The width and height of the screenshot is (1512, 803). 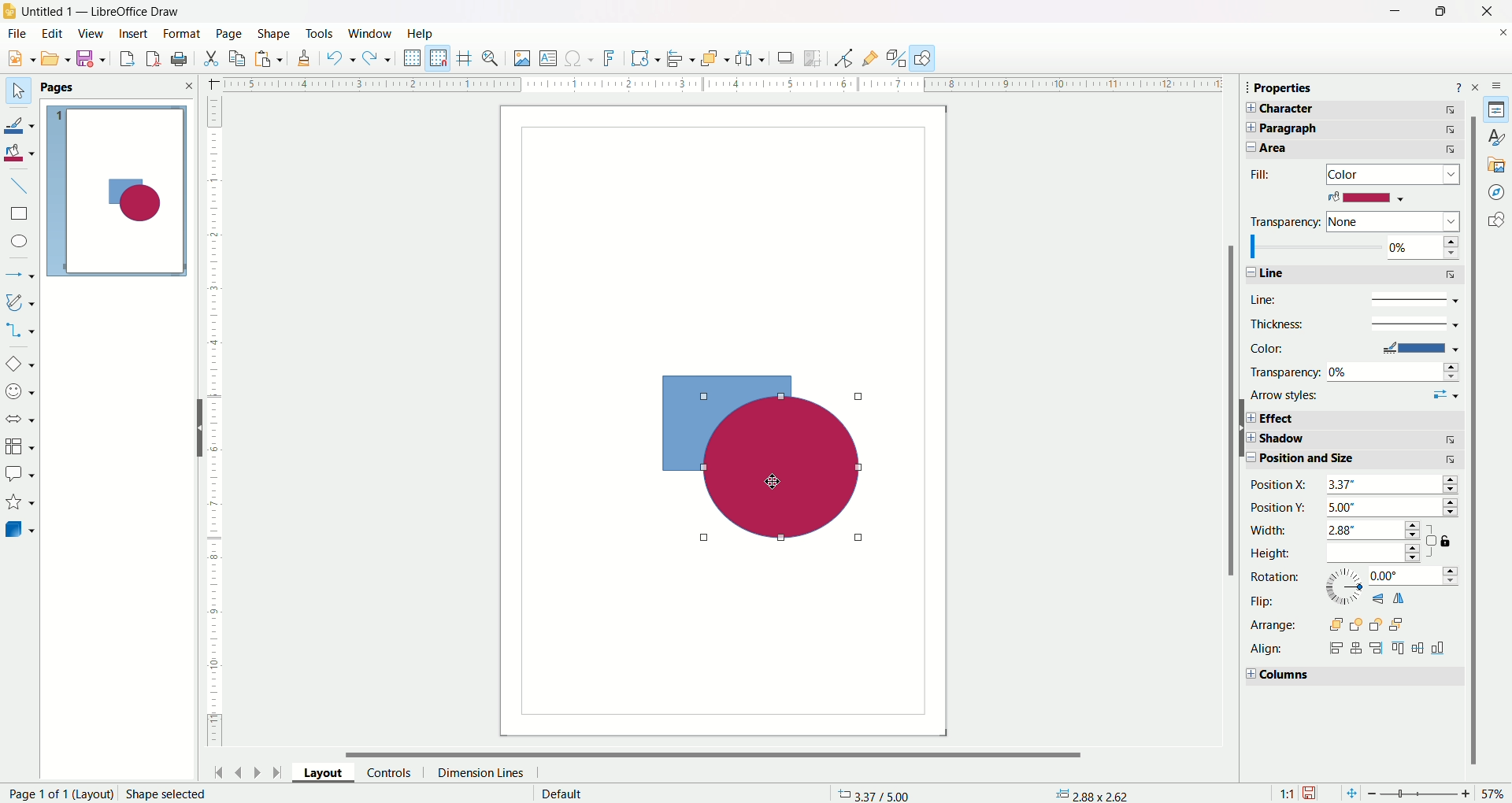 What do you see at coordinates (557, 794) in the screenshot?
I see `default` at bounding box center [557, 794].